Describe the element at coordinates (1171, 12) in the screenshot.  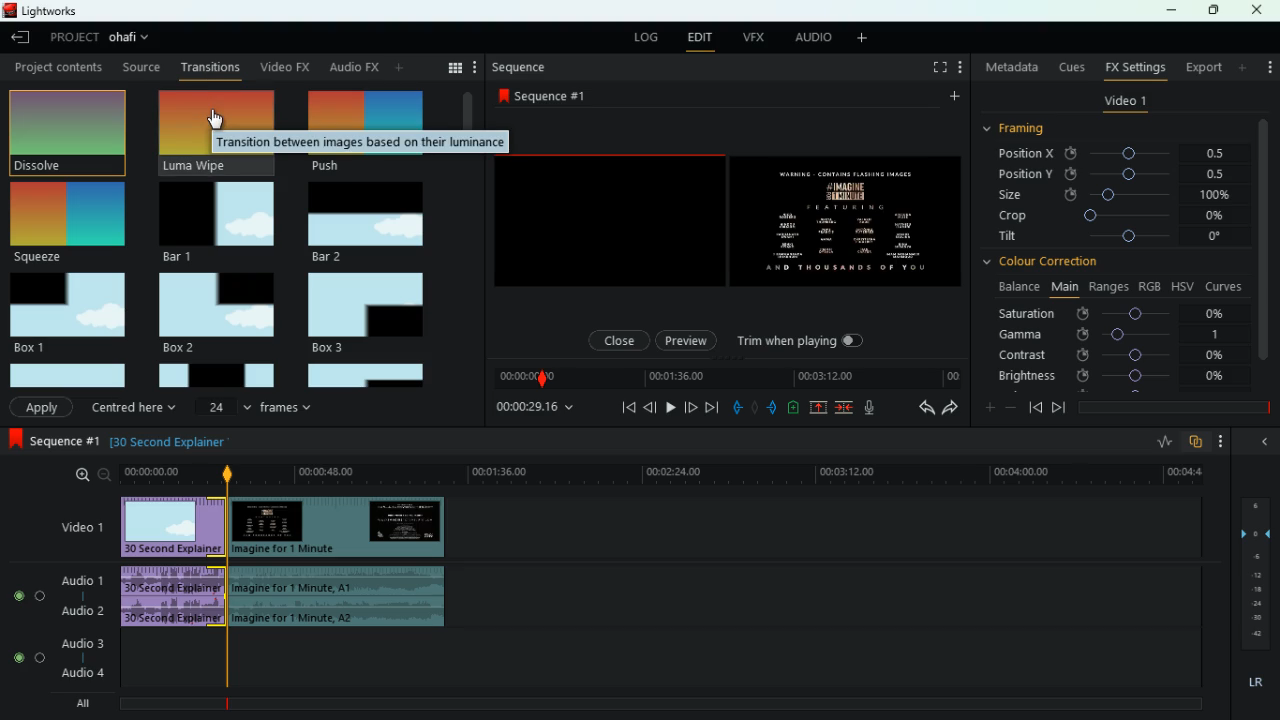
I see `minimize` at that location.